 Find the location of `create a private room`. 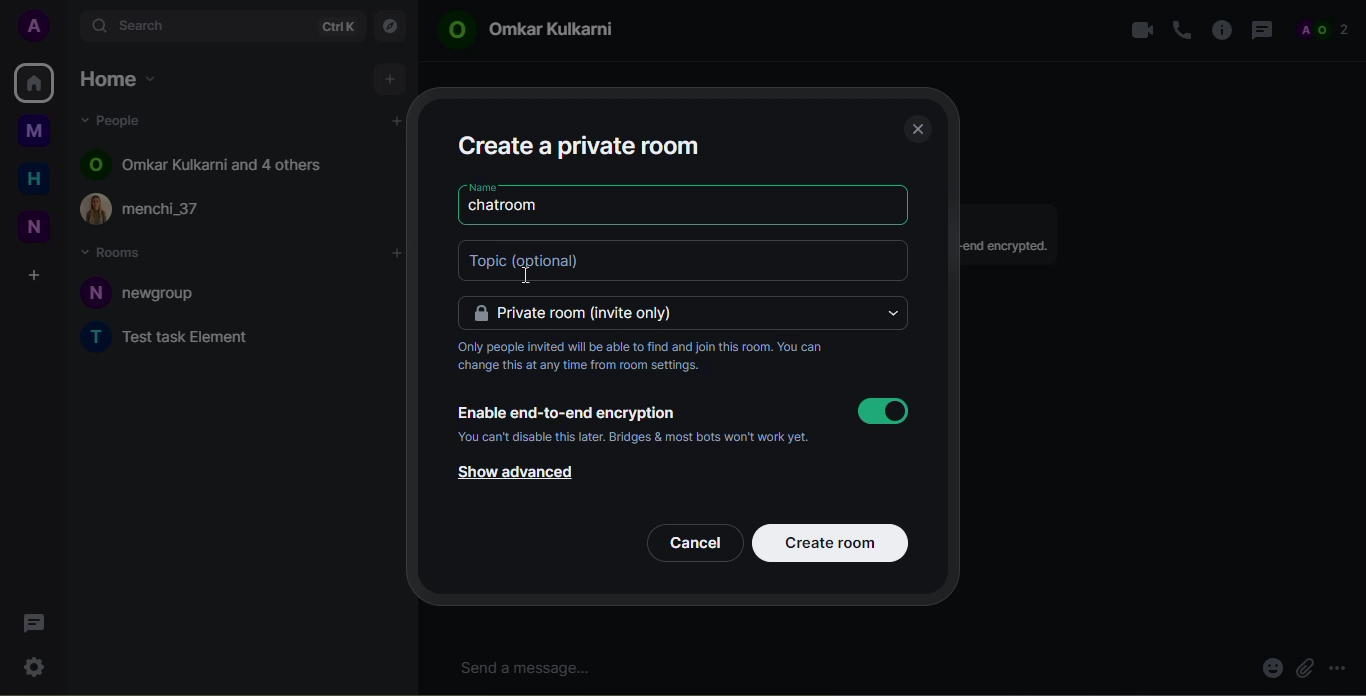

create a private room is located at coordinates (582, 144).